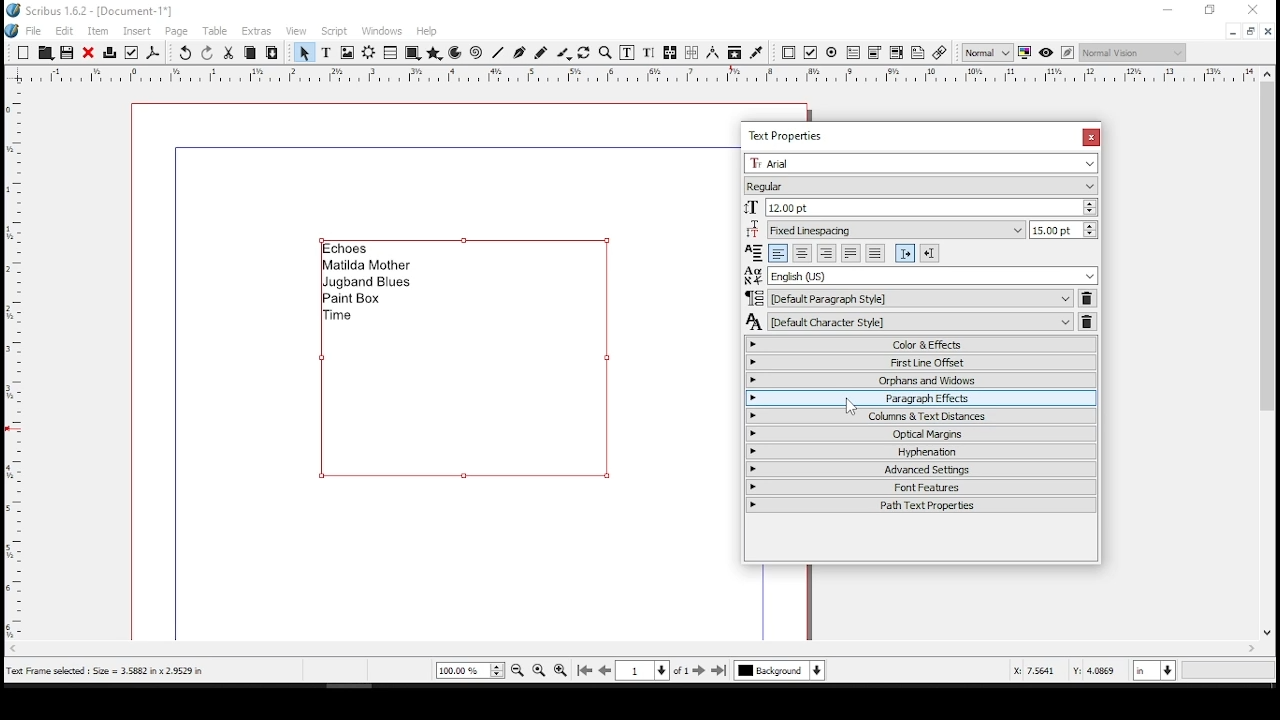 Image resolution: width=1280 pixels, height=720 pixels. I want to click on delete paragraph style, so click(1088, 298).